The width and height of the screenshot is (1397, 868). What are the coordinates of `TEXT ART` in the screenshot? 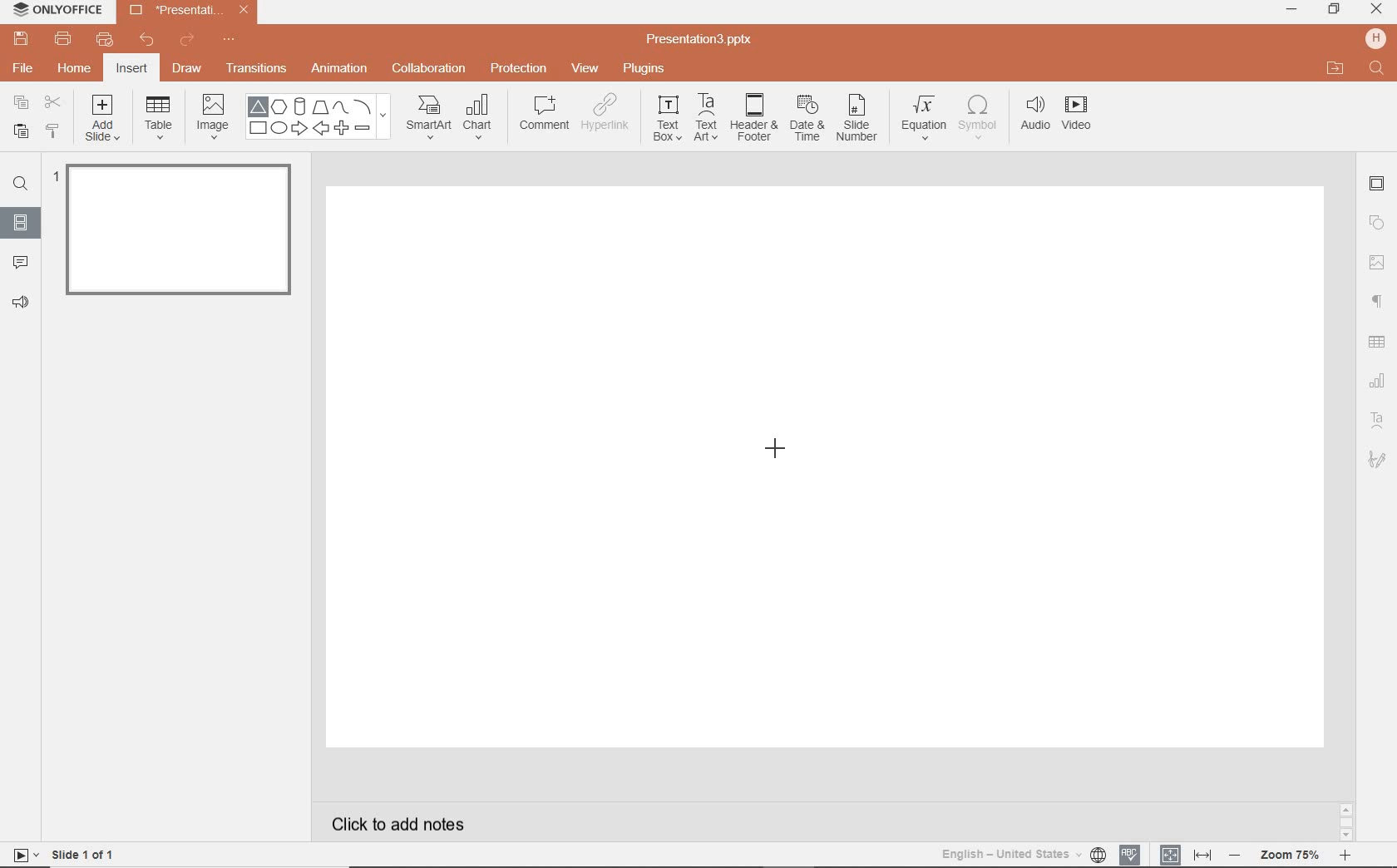 It's located at (704, 119).